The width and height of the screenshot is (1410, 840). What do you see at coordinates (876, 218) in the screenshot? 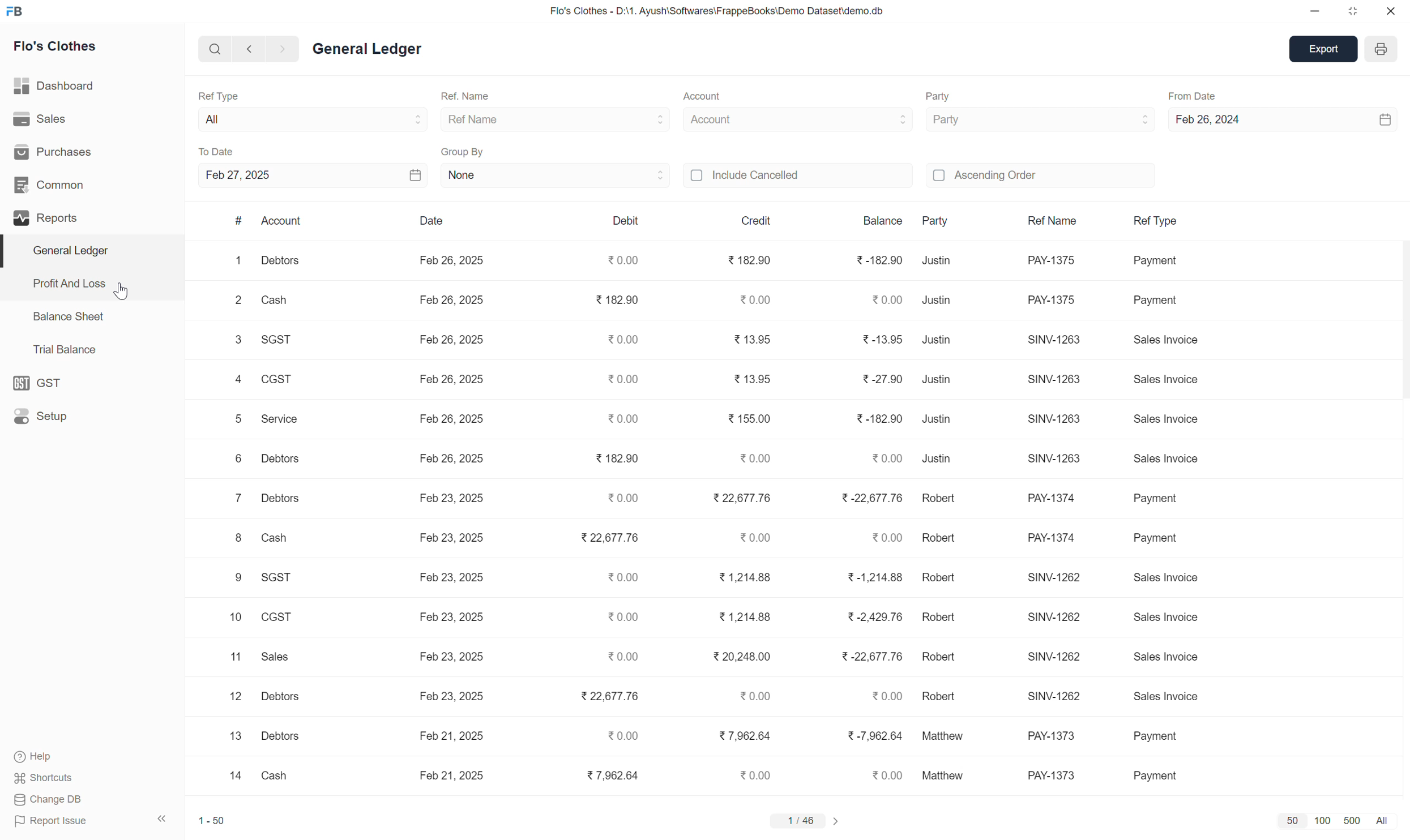
I see `Balance` at bounding box center [876, 218].